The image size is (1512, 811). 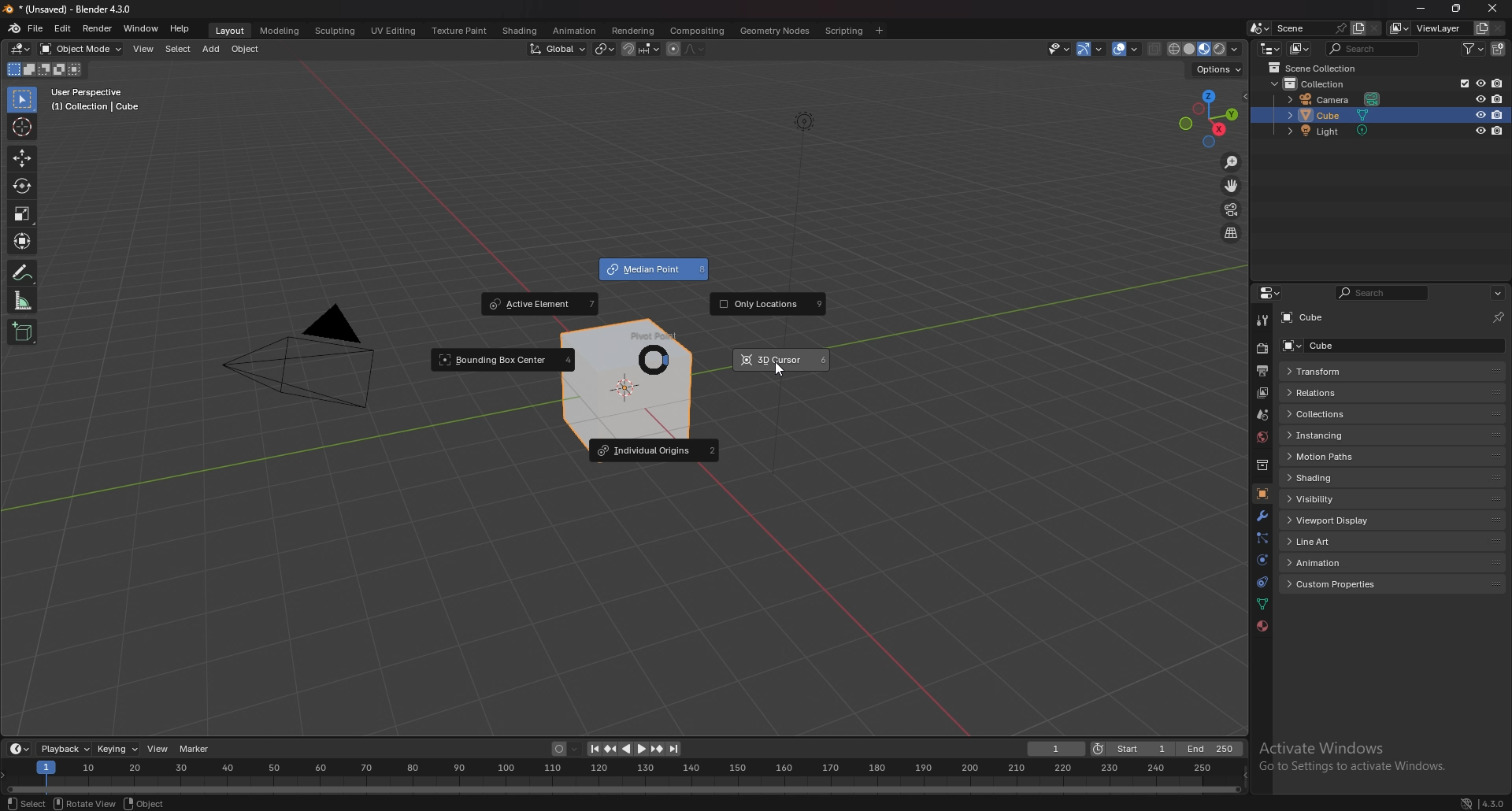 I want to click on material, so click(x=1260, y=627).